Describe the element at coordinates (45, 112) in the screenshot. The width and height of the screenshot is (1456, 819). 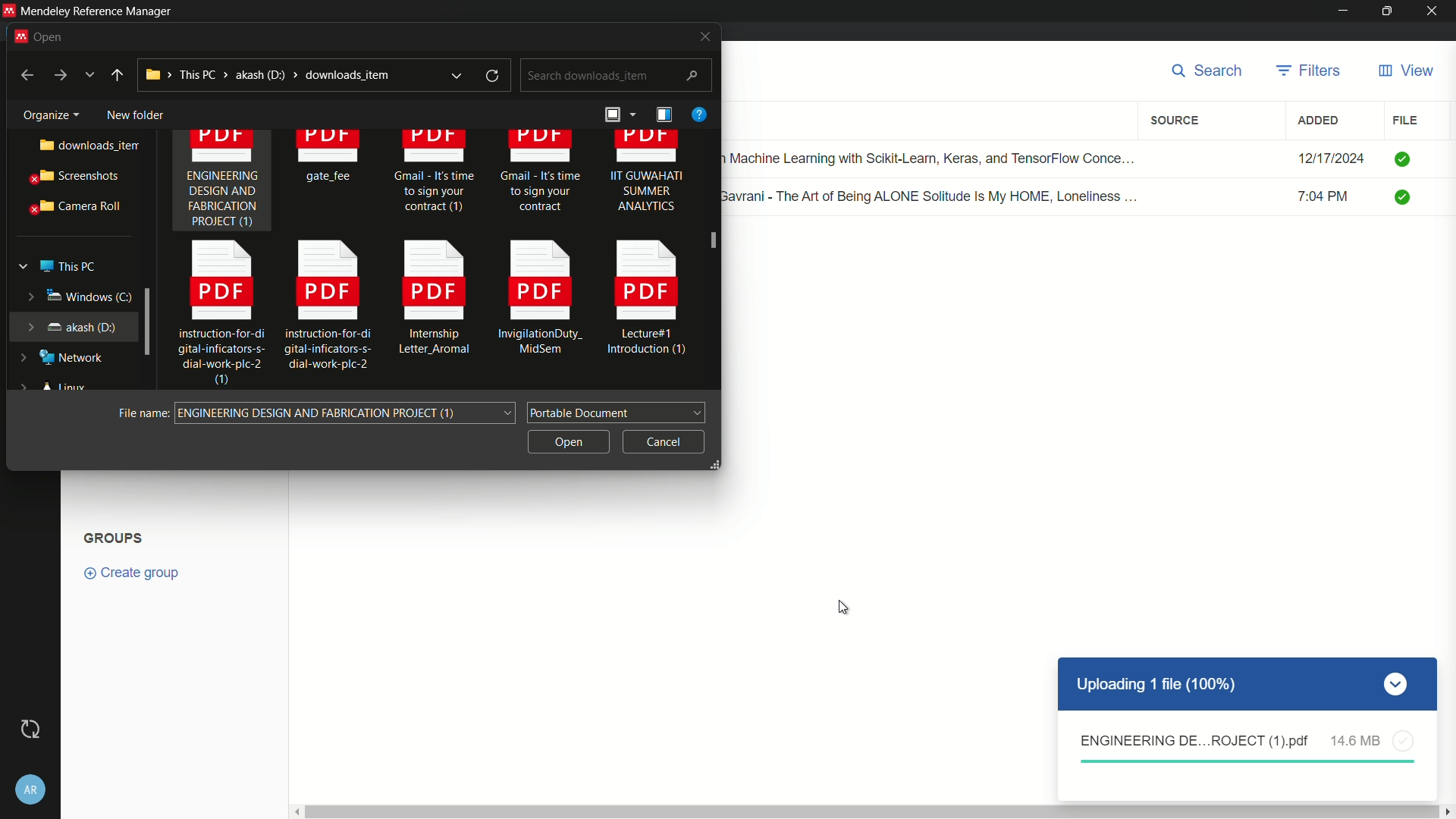
I see `Organize` at that location.